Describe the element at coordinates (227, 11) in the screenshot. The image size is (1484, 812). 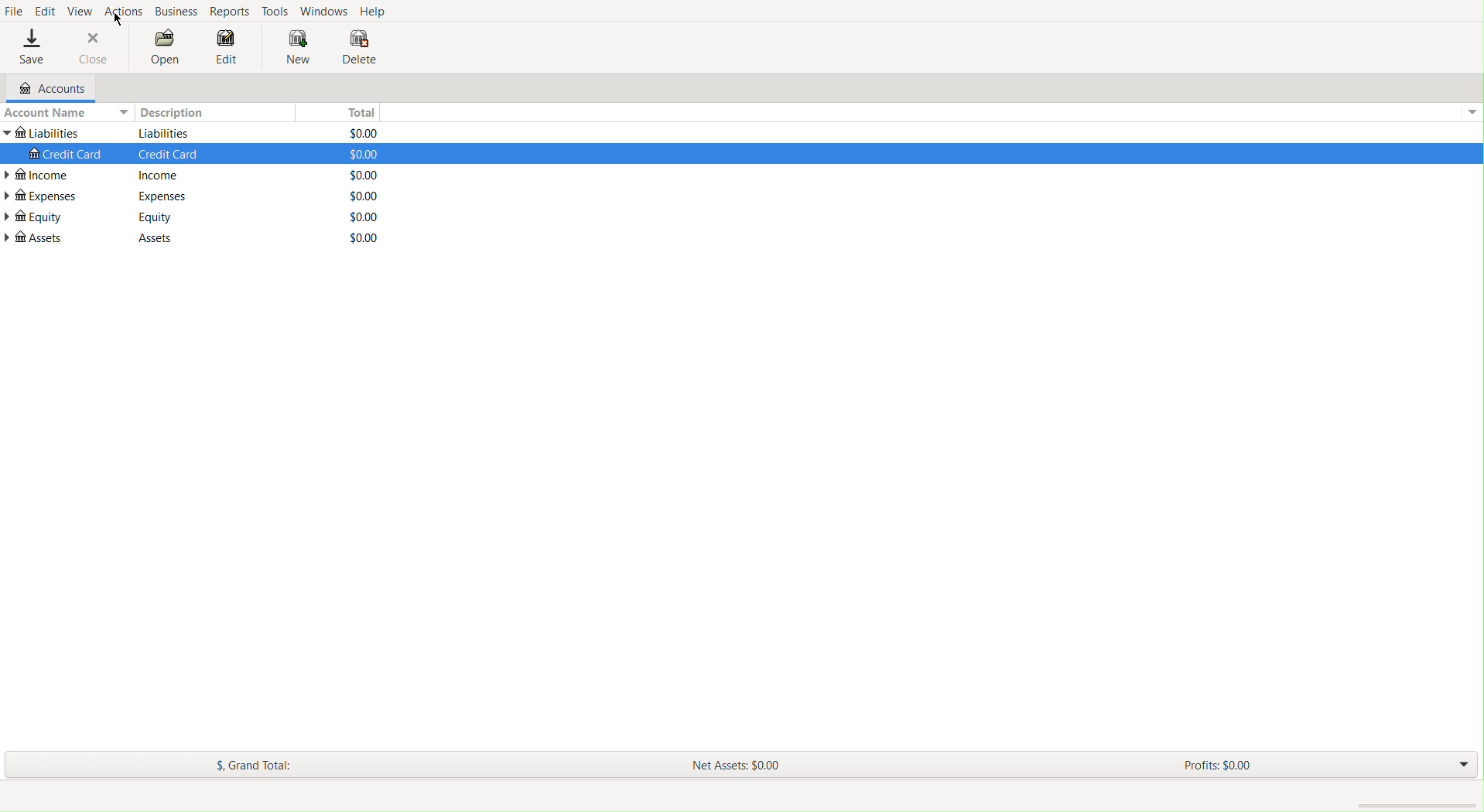
I see `Reports` at that location.